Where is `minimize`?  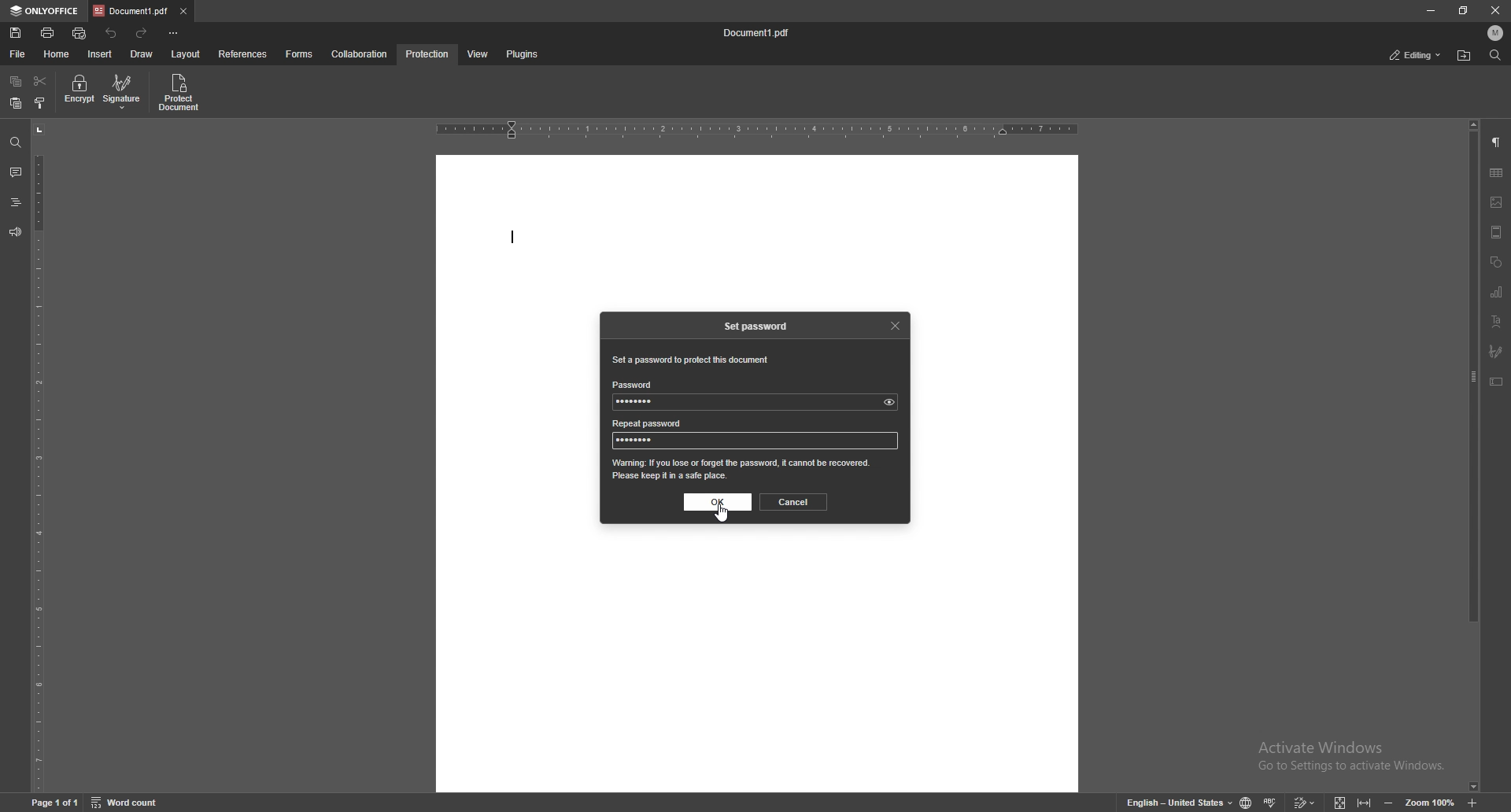
minimize is located at coordinates (1430, 10).